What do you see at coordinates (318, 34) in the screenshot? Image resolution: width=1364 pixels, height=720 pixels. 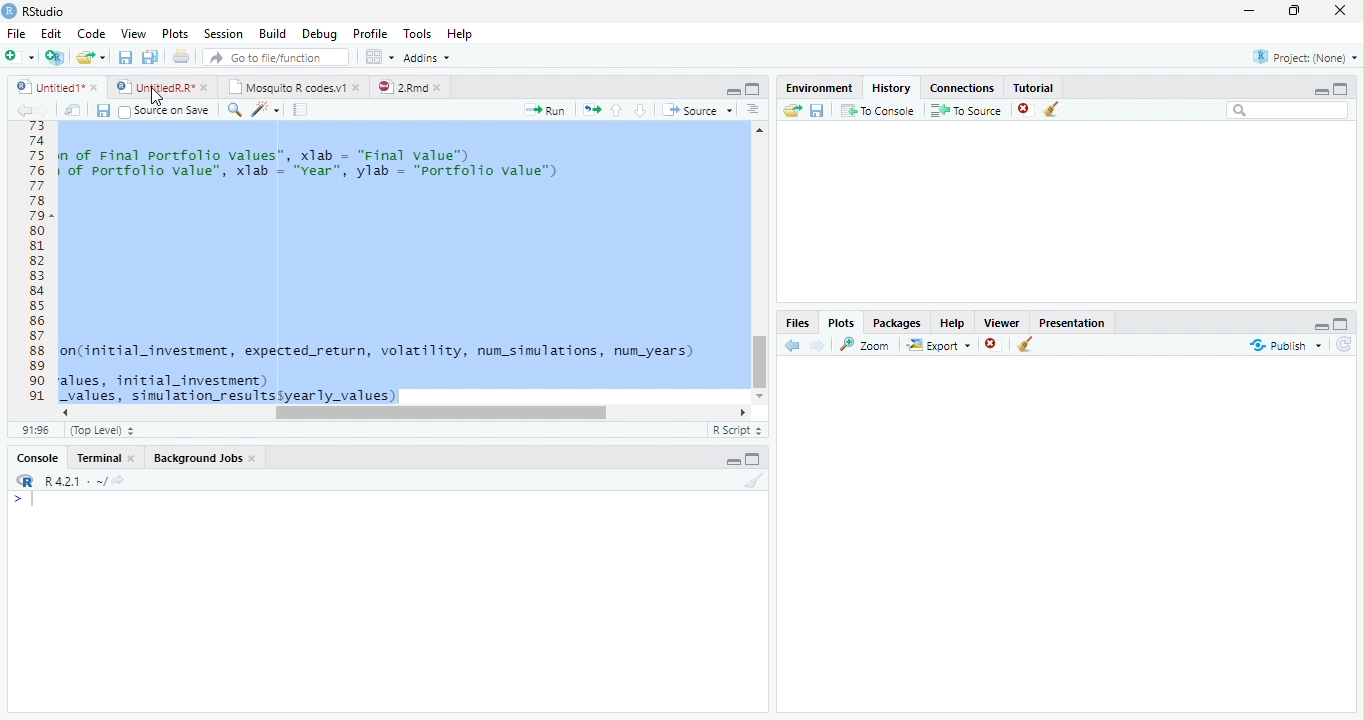 I see `Debug` at bounding box center [318, 34].